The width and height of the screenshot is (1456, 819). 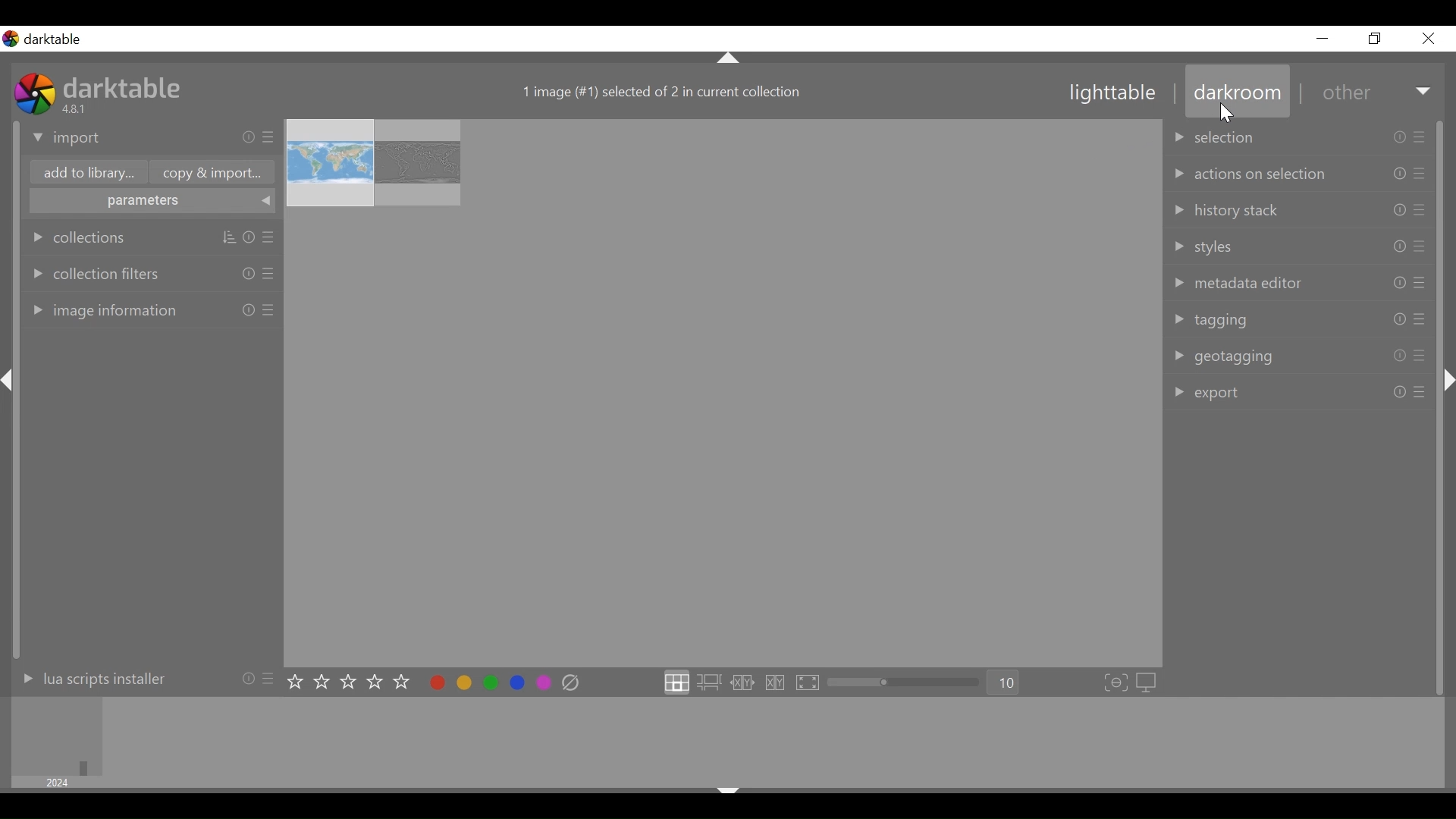 What do you see at coordinates (730, 57) in the screenshot?
I see `Collapse ` at bounding box center [730, 57].